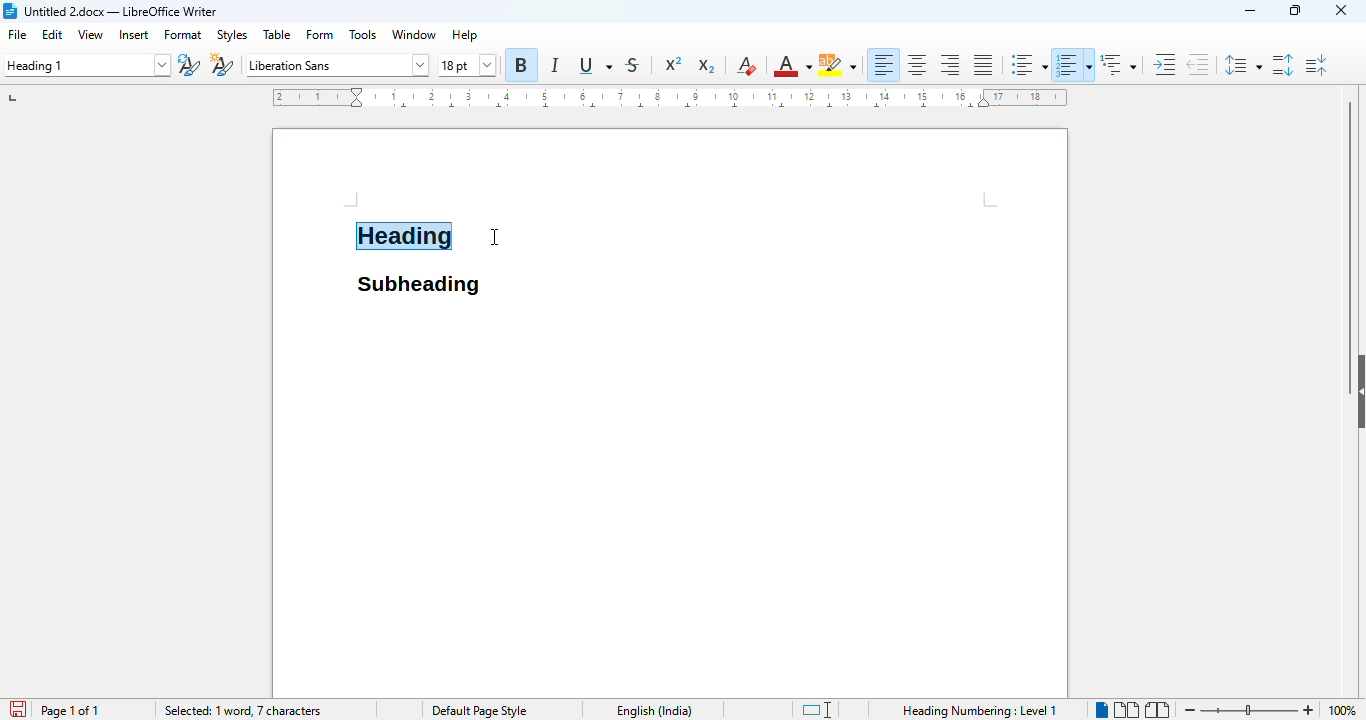 The image size is (1366, 720). Describe the element at coordinates (364, 34) in the screenshot. I see `tools` at that location.